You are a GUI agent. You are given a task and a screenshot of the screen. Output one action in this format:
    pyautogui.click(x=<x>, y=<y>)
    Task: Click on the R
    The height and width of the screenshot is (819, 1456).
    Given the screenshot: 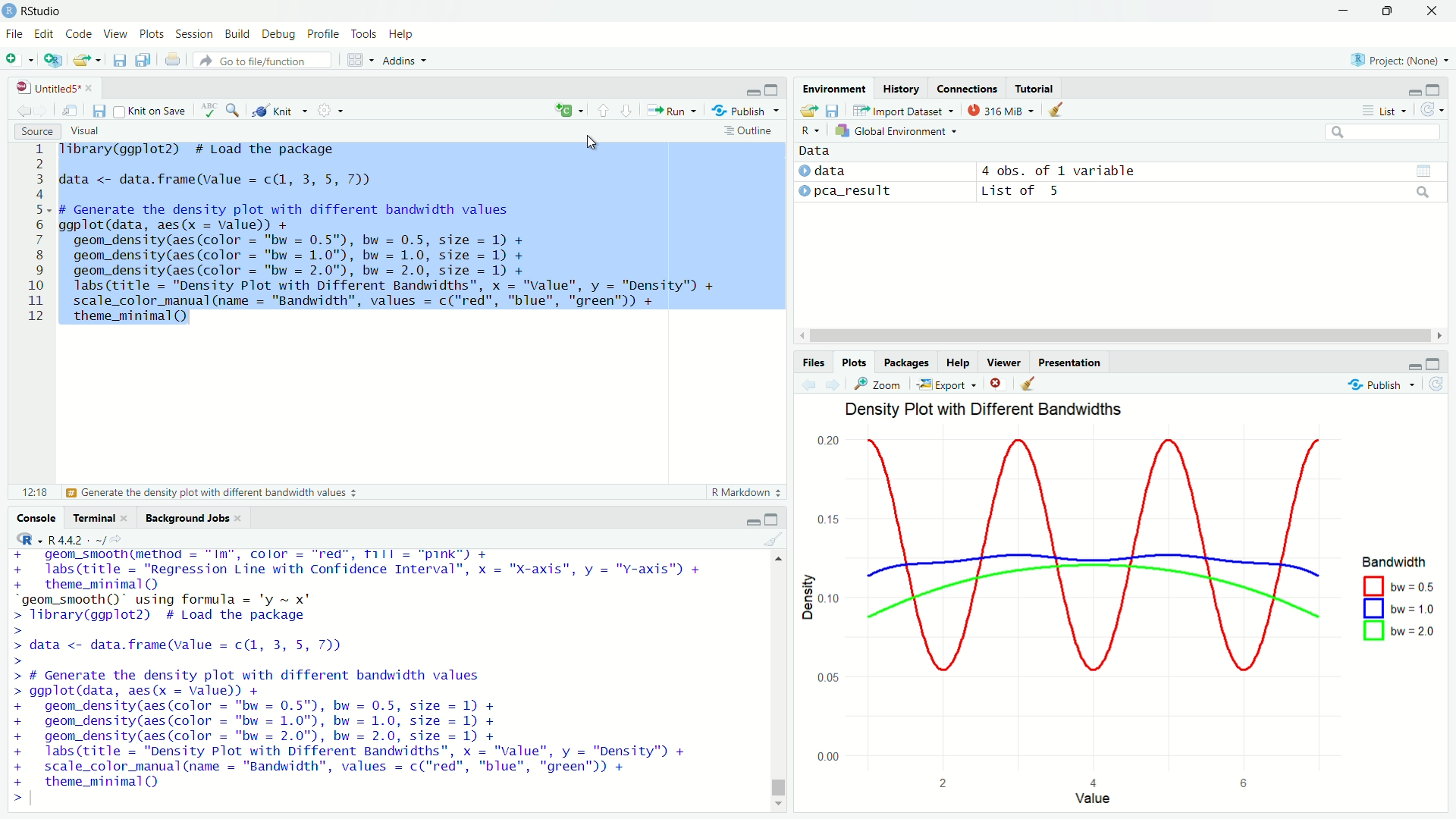 What is the action you would take?
    pyautogui.click(x=26, y=538)
    